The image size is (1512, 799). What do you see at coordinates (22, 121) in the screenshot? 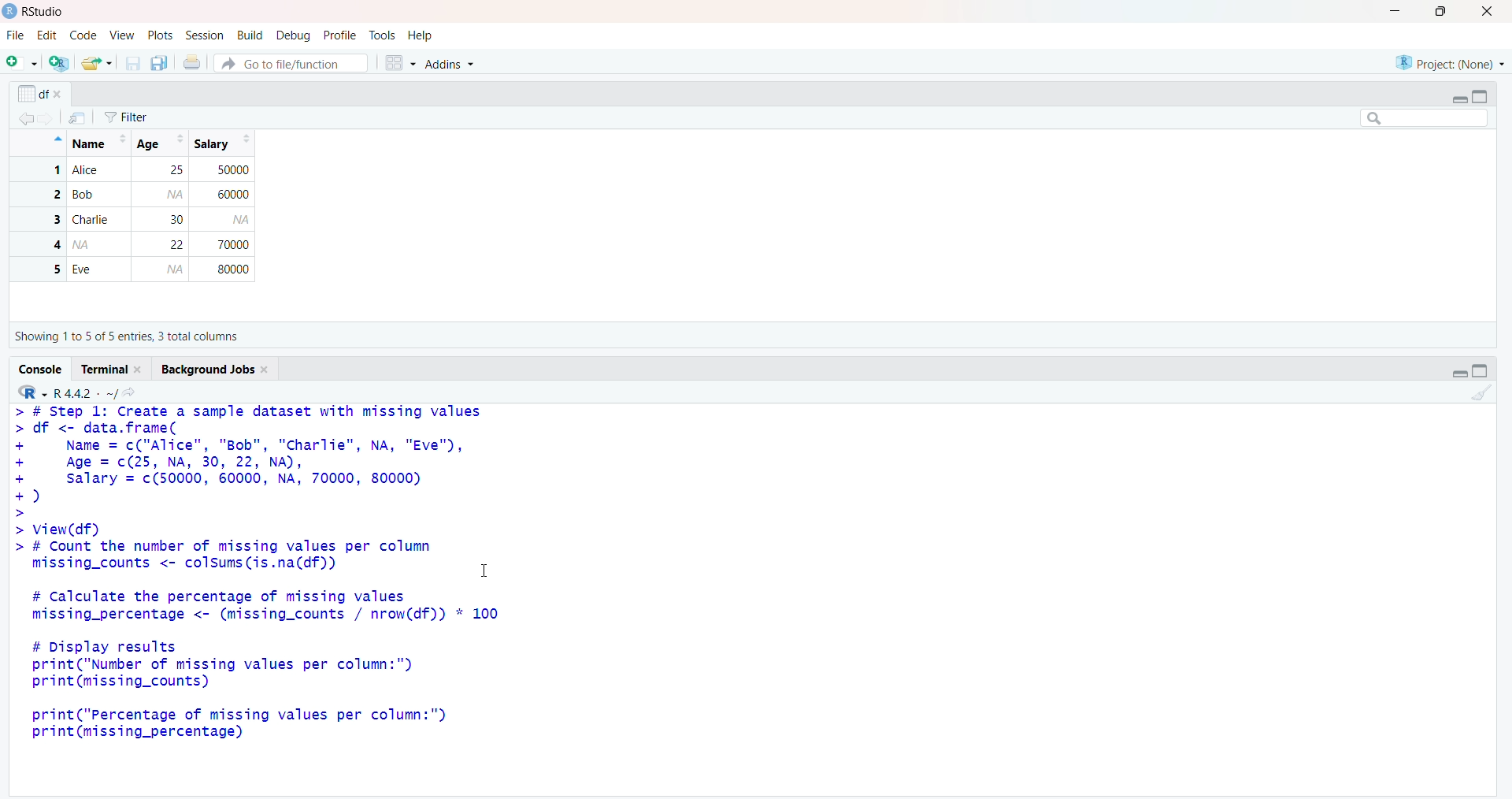
I see `Go back to the previous source location (Ctrl + F9)` at bounding box center [22, 121].